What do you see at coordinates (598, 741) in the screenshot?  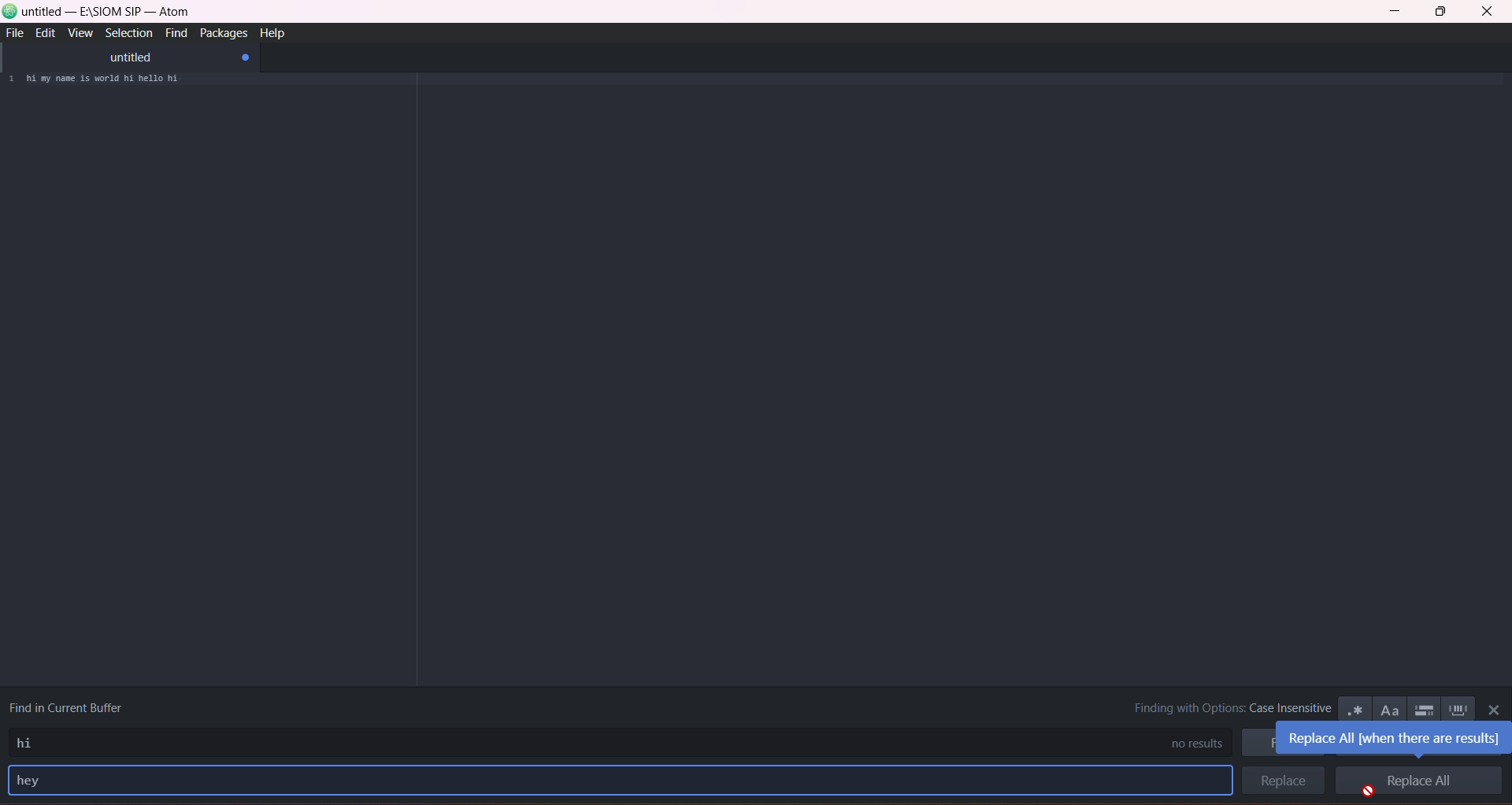 I see `find type area` at bounding box center [598, 741].